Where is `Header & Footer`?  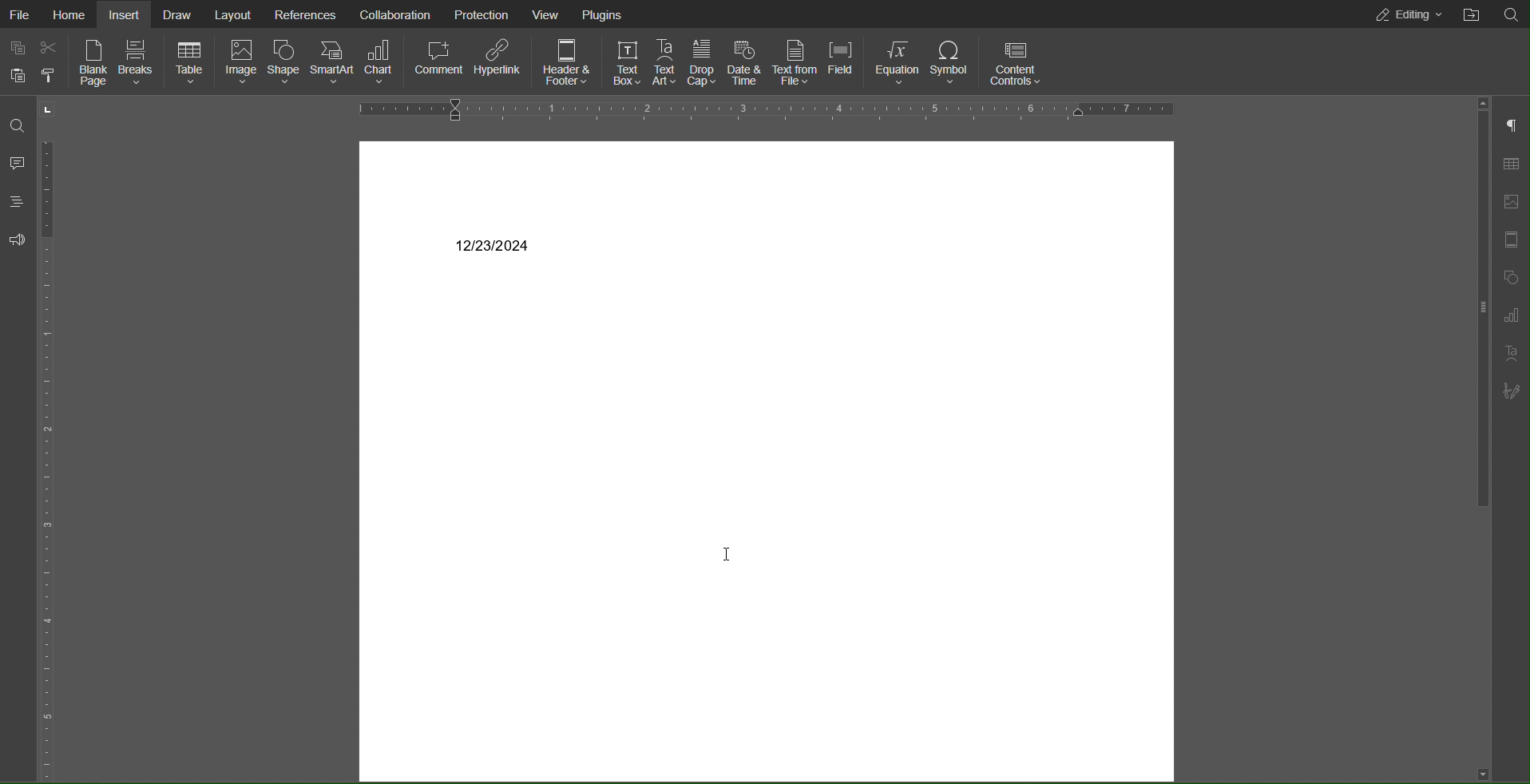
Header & Footer is located at coordinates (567, 61).